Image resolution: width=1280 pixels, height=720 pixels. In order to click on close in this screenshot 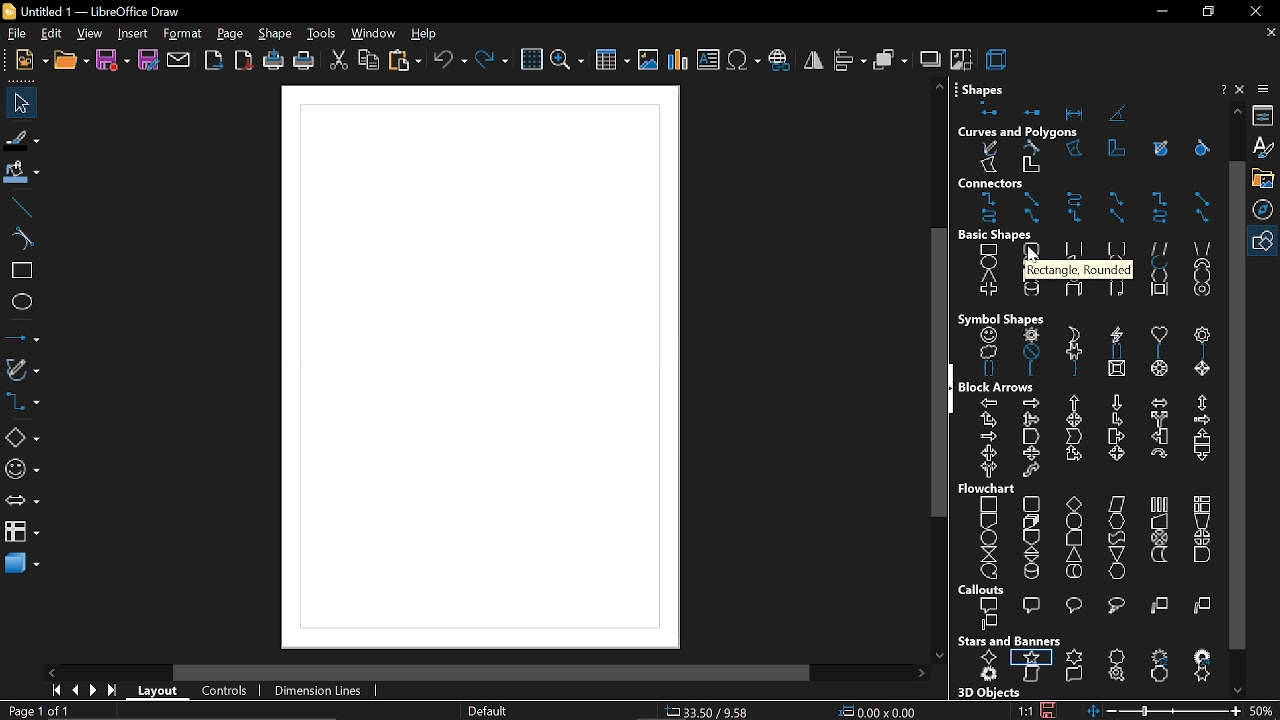, I will do `click(1242, 89)`.